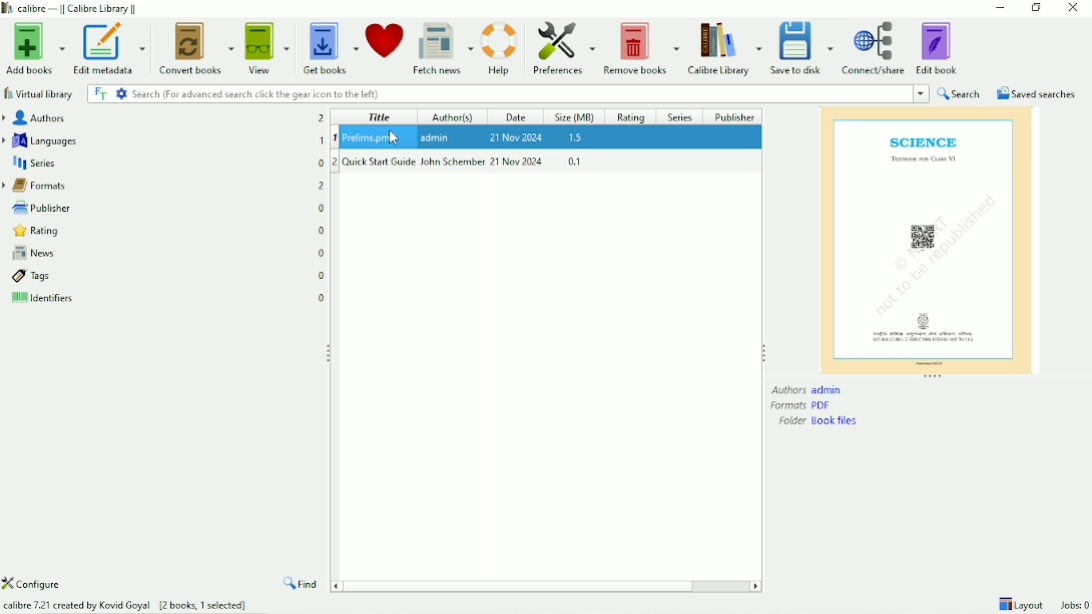  Describe the element at coordinates (577, 117) in the screenshot. I see `Size` at that location.